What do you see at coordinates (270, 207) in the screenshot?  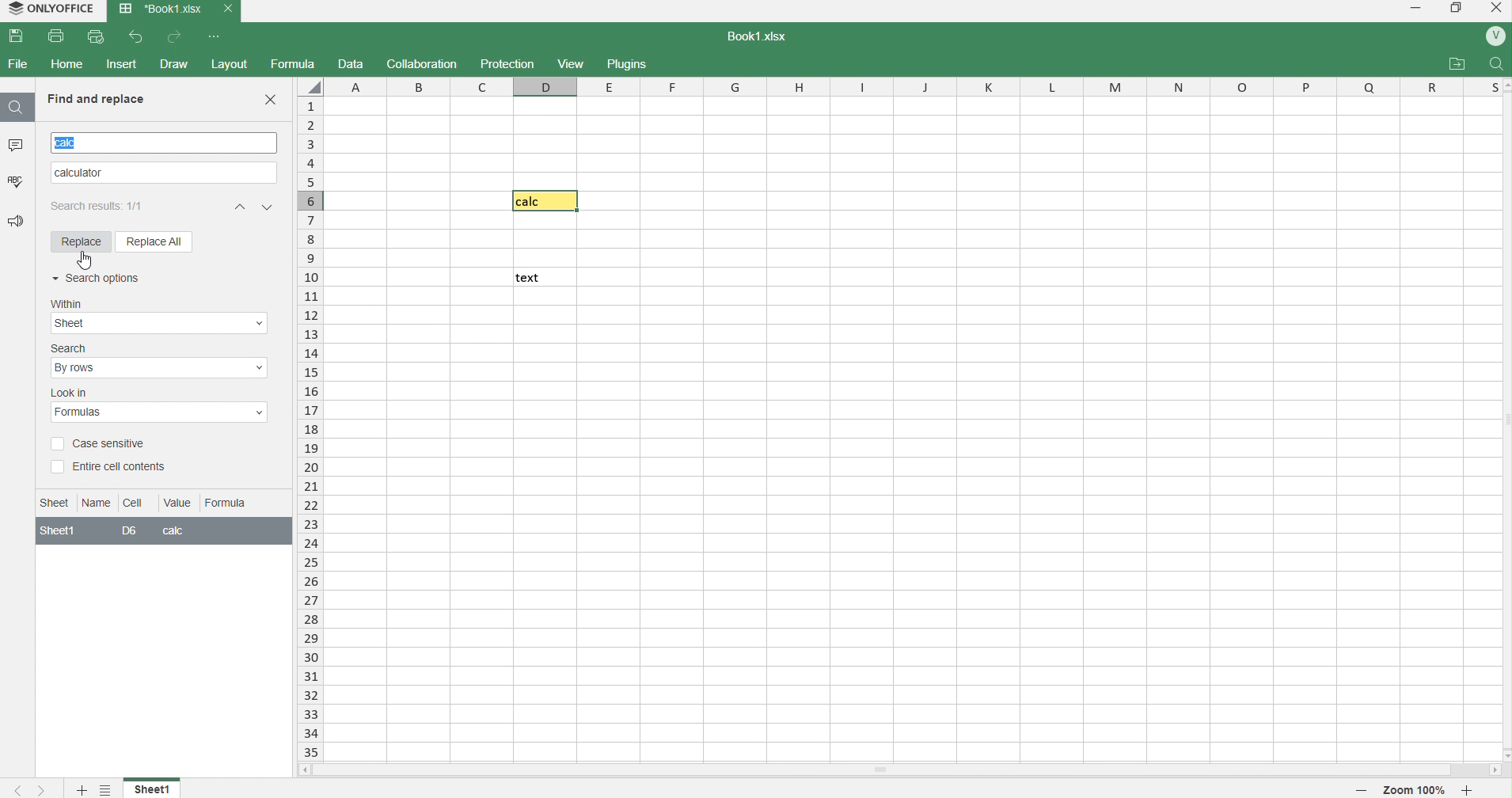 I see `previous match` at bounding box center [270, 207].